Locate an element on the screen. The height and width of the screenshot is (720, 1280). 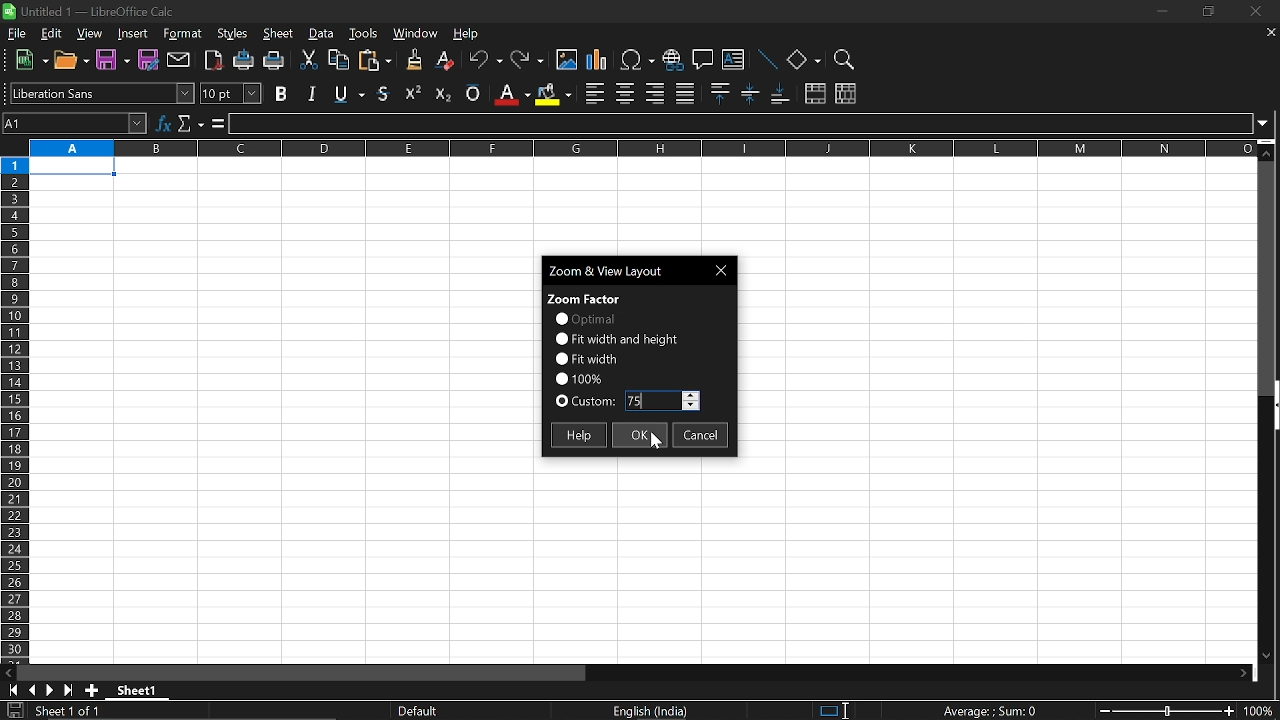
current window is located at coordinates (620, 269).